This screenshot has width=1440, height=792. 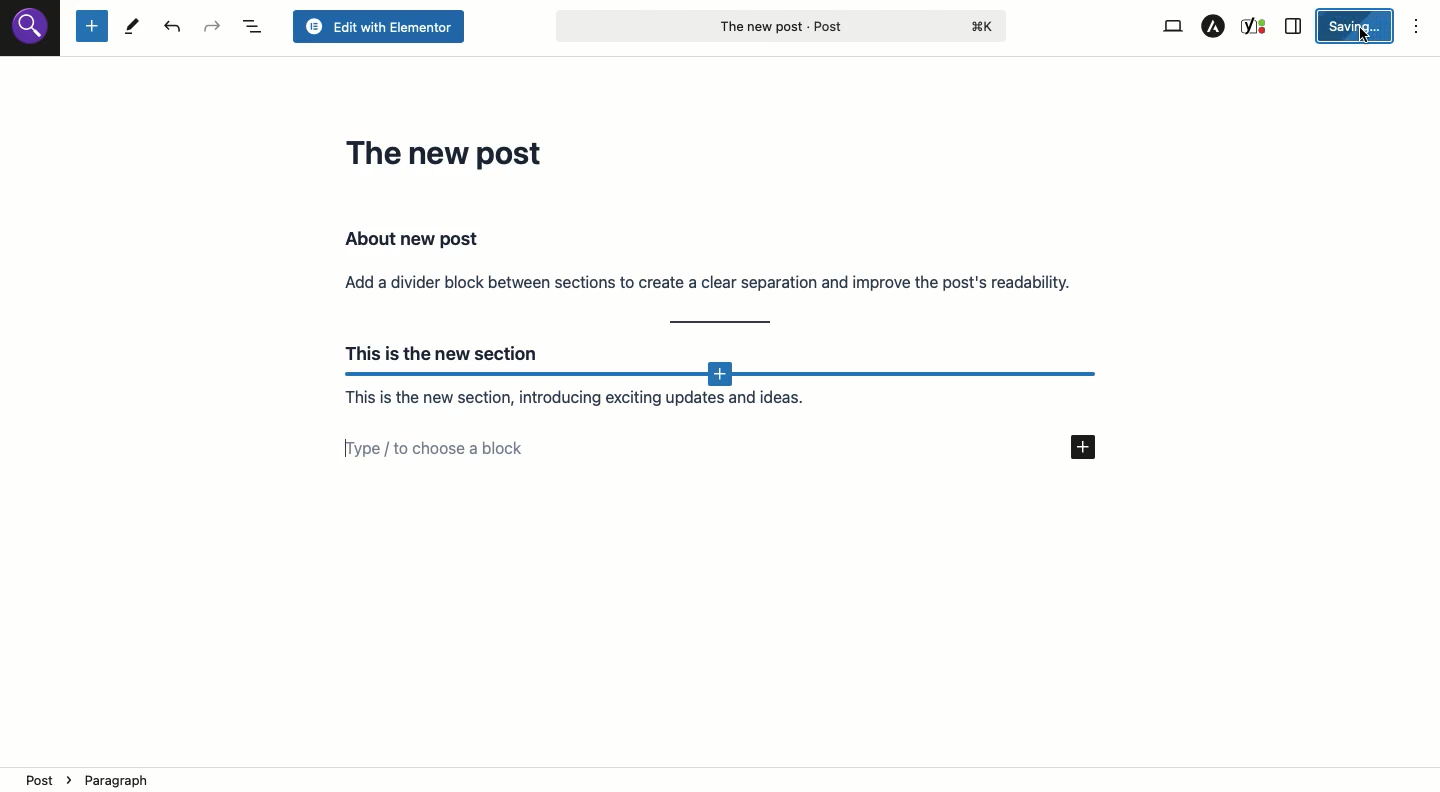 What do you see at coordinates (1359, 25) in the screenshot?
I see `Saved` at bounding box center [1359, 25].